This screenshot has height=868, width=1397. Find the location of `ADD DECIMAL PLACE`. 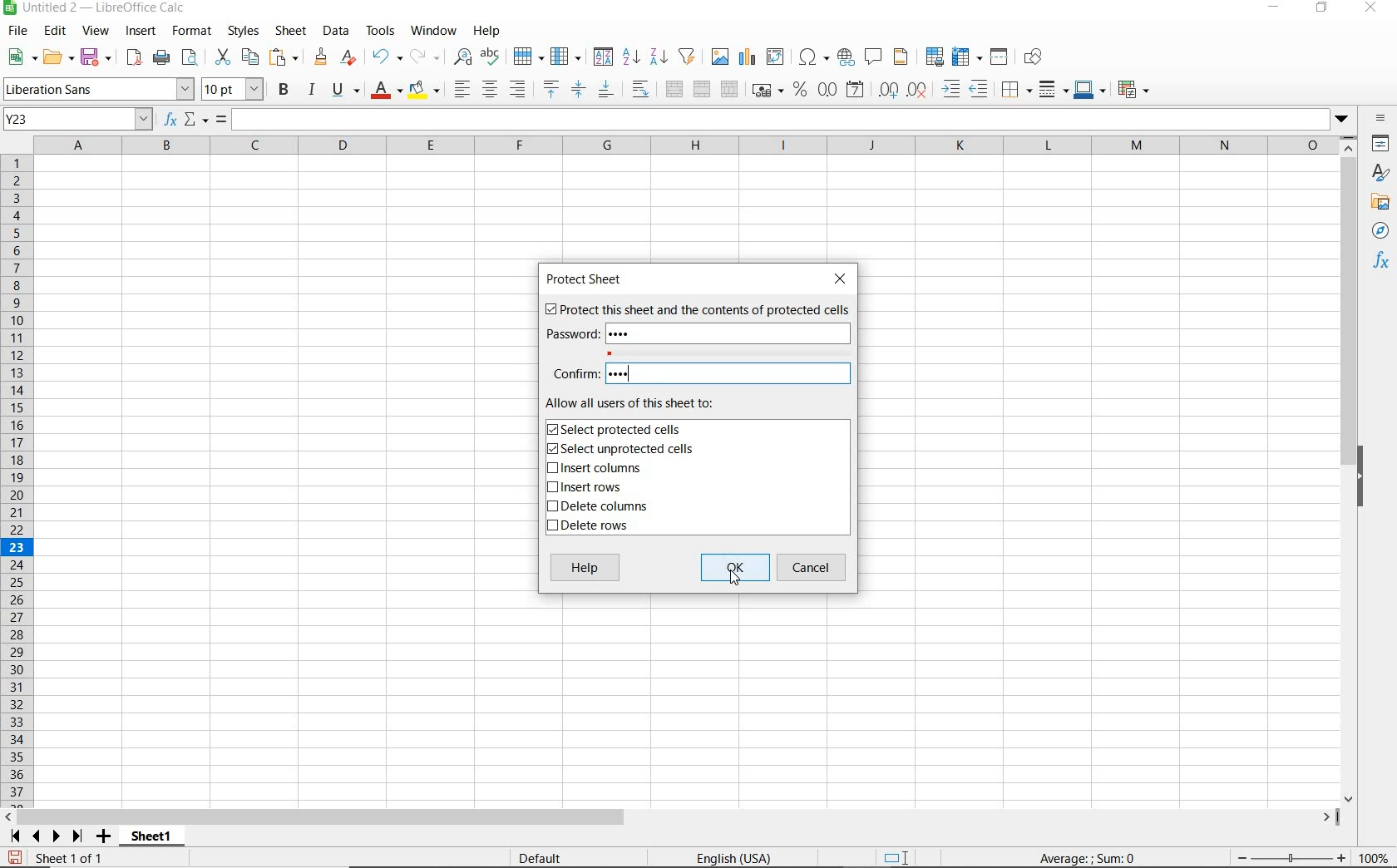

ADD DECIMAL PLACE is located at coordinates (887, 89).